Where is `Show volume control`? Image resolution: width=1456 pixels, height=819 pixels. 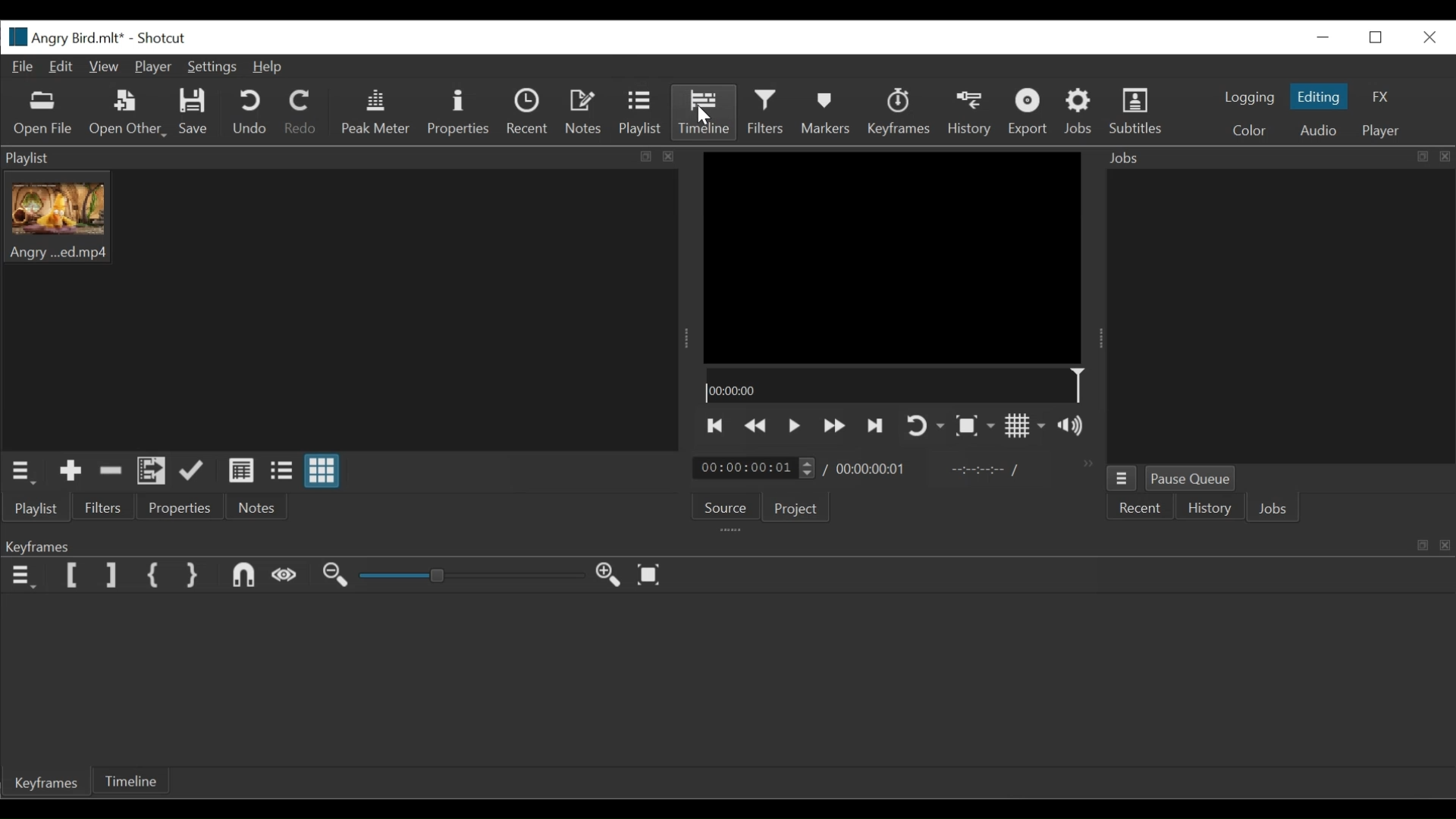
Show volume control is located at coordinates (1071, 426).